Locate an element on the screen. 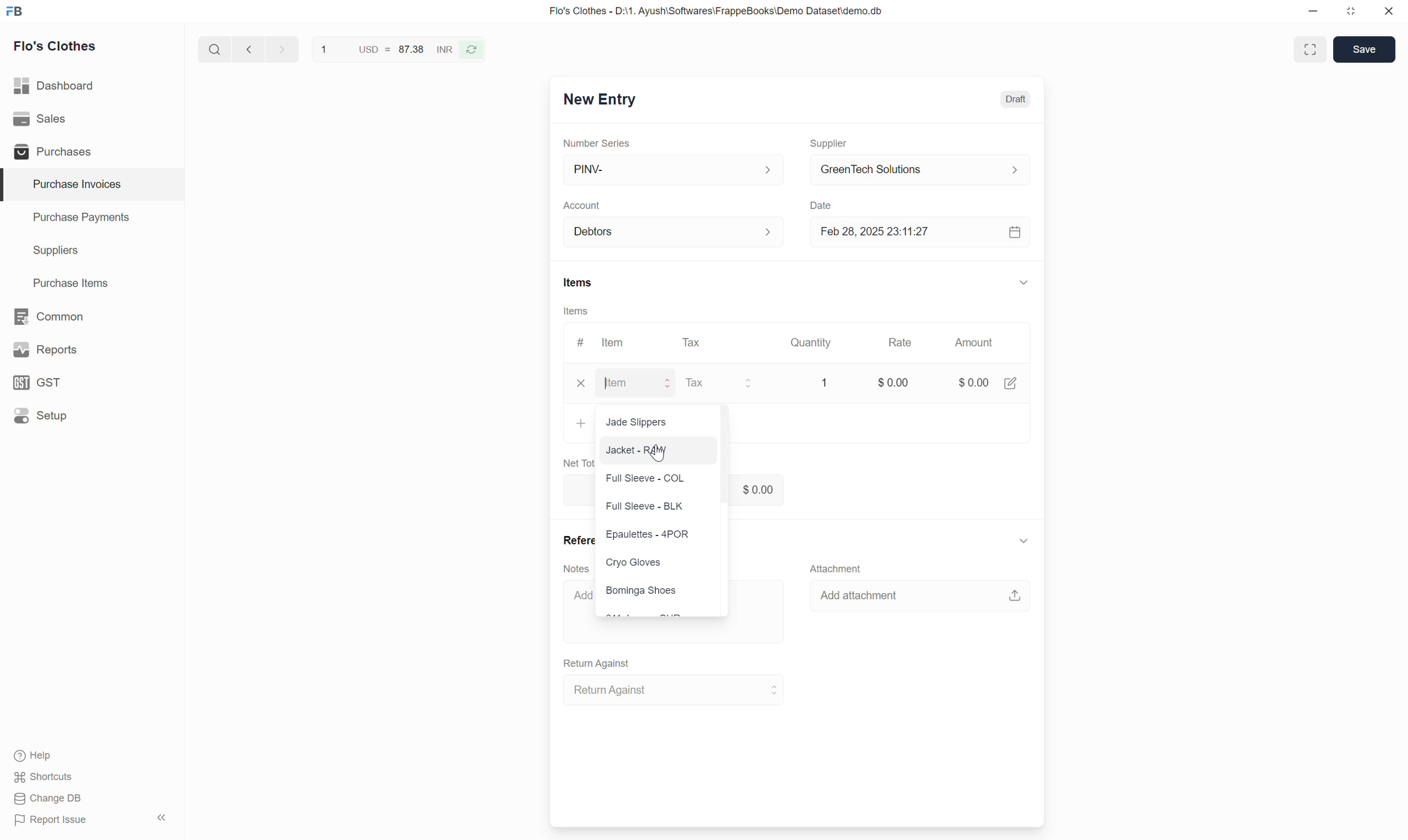 The image size is (1408, 840). Full Sleeve - BLK is located at coordinates (658, 506).